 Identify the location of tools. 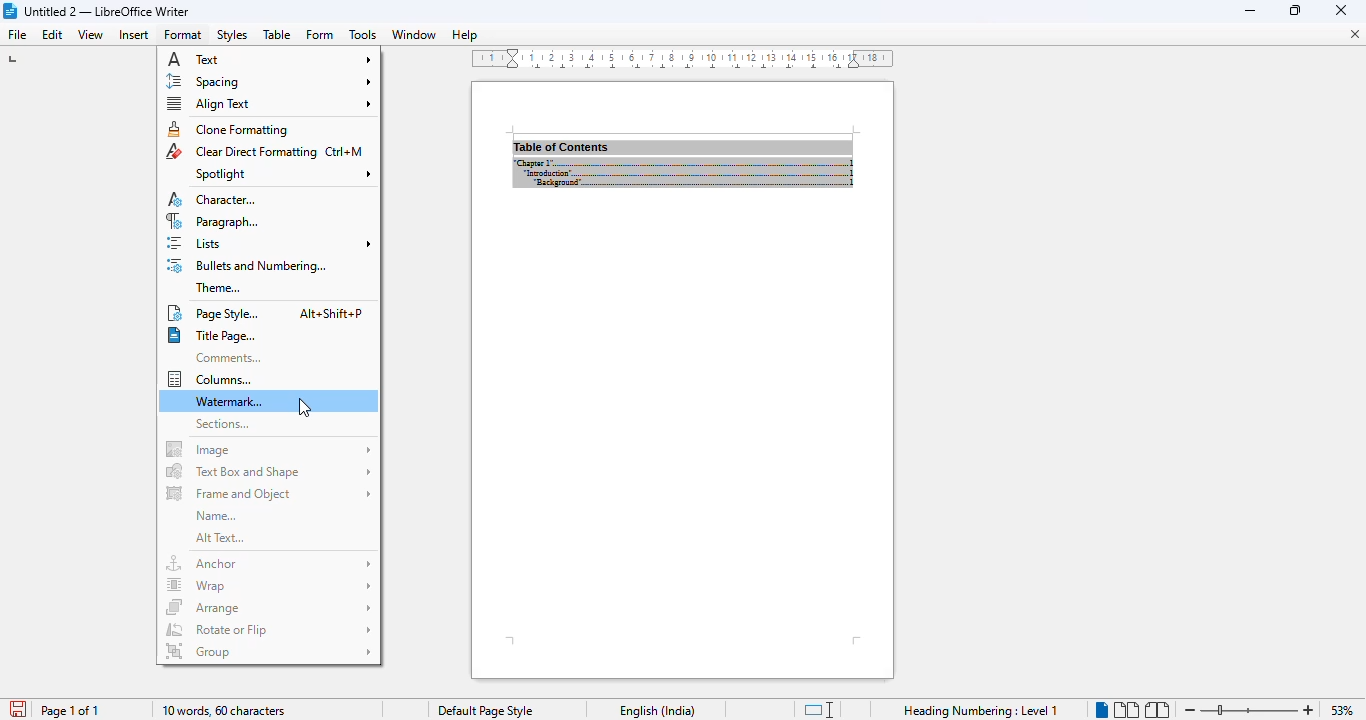
(362, 34).